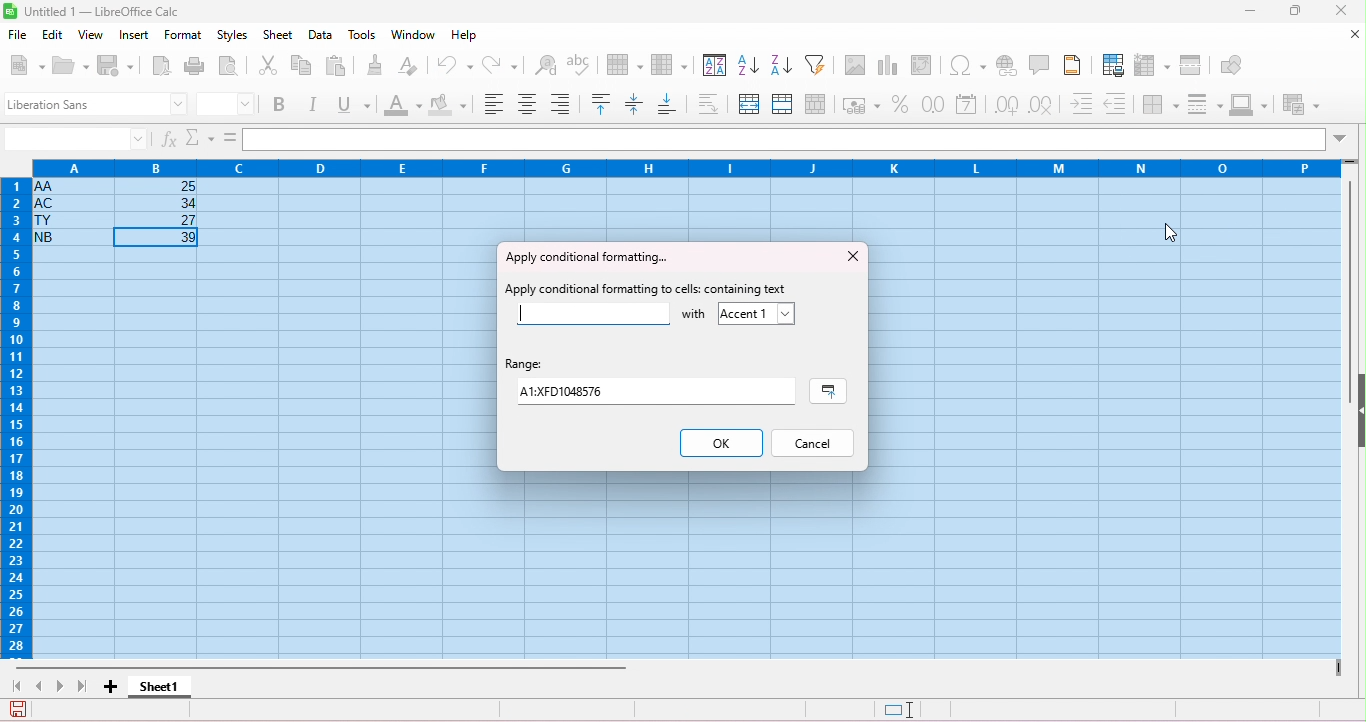 This screenshot has width=1366, height=722. What do you see at coordinates (282, 104) in the screenshot?
I see `bold` at bounding box center [282, 104].